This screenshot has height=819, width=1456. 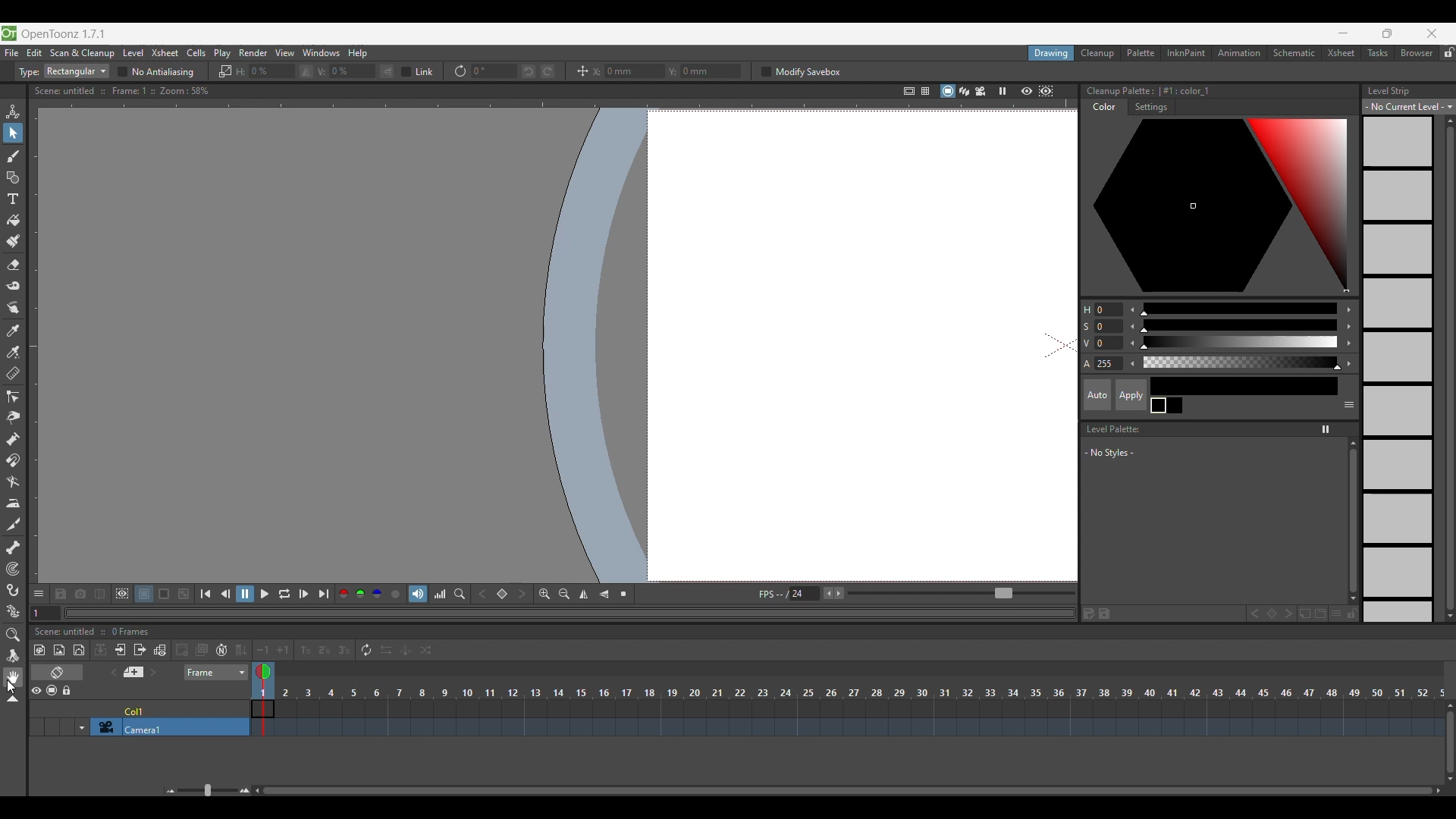 What do you see at coordinates (1450, 617) in the screenshot?
I see `Quick slide to bottom` at bounding box center [1450, 617].